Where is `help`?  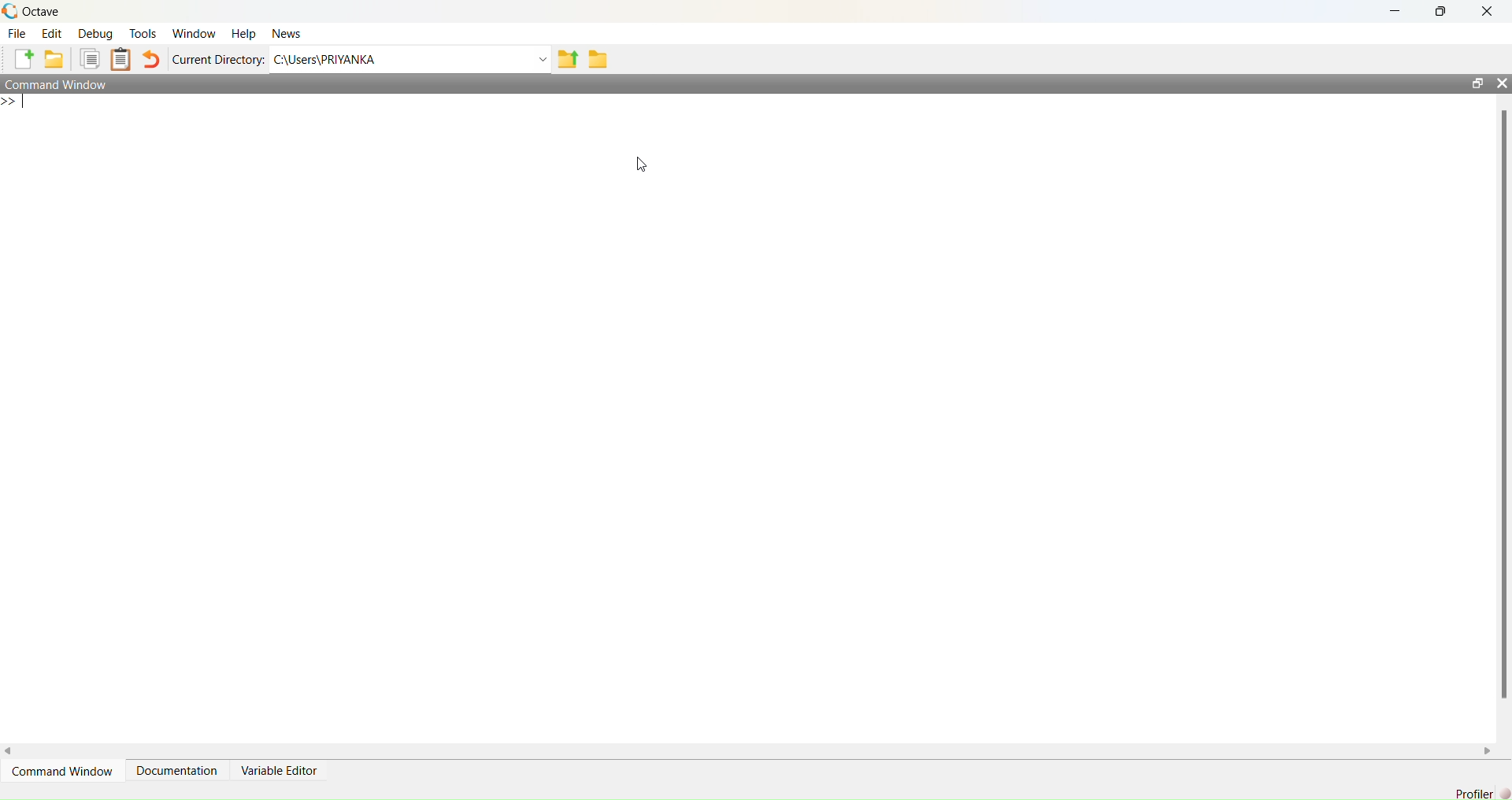 help is located at coordinates (243, 35).